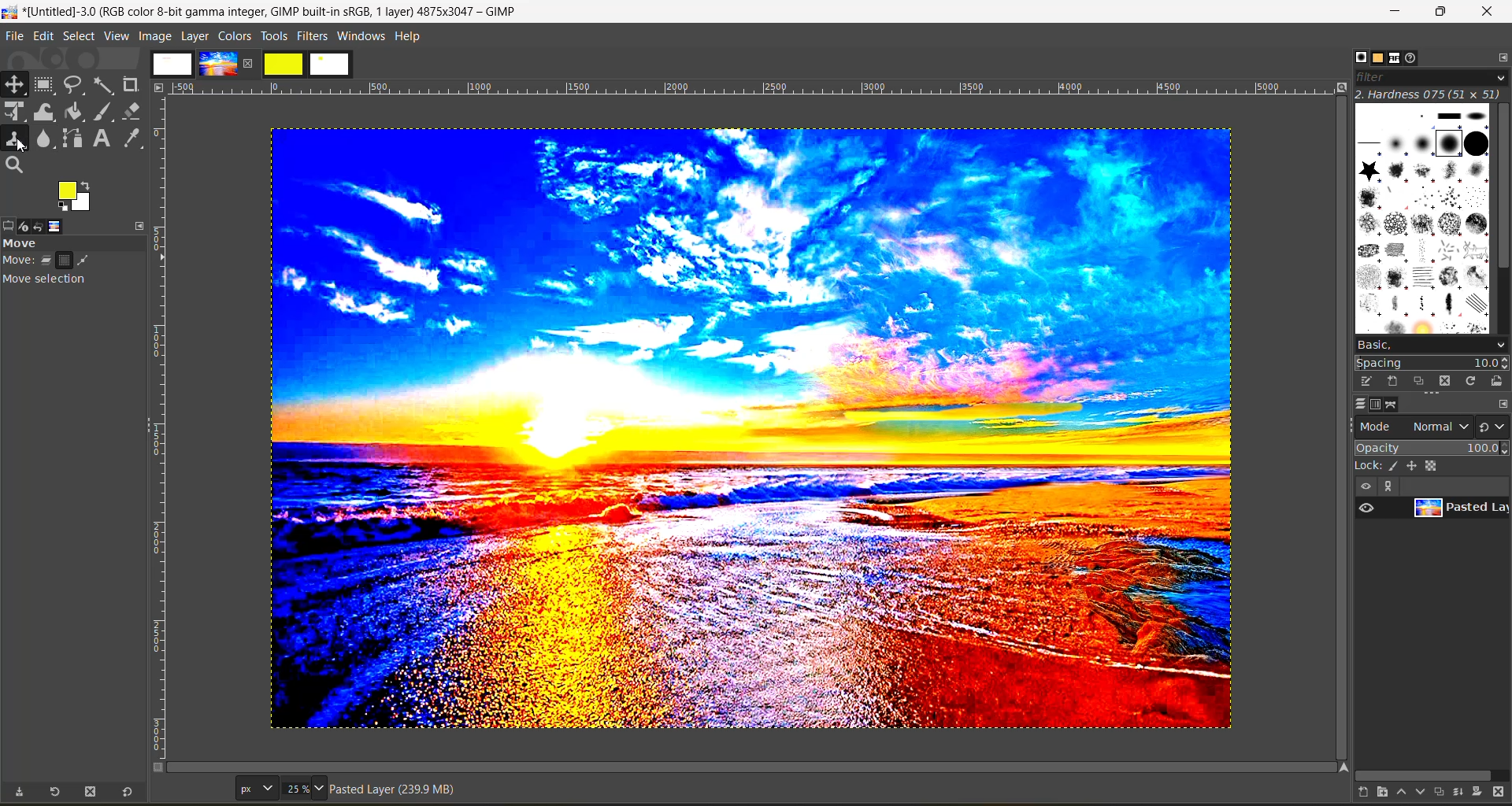 The image size is (1512, 806). What do you see at coordinates (103, 139) in the screenshot?
I see `text tool` at bounding box center [103, 139].